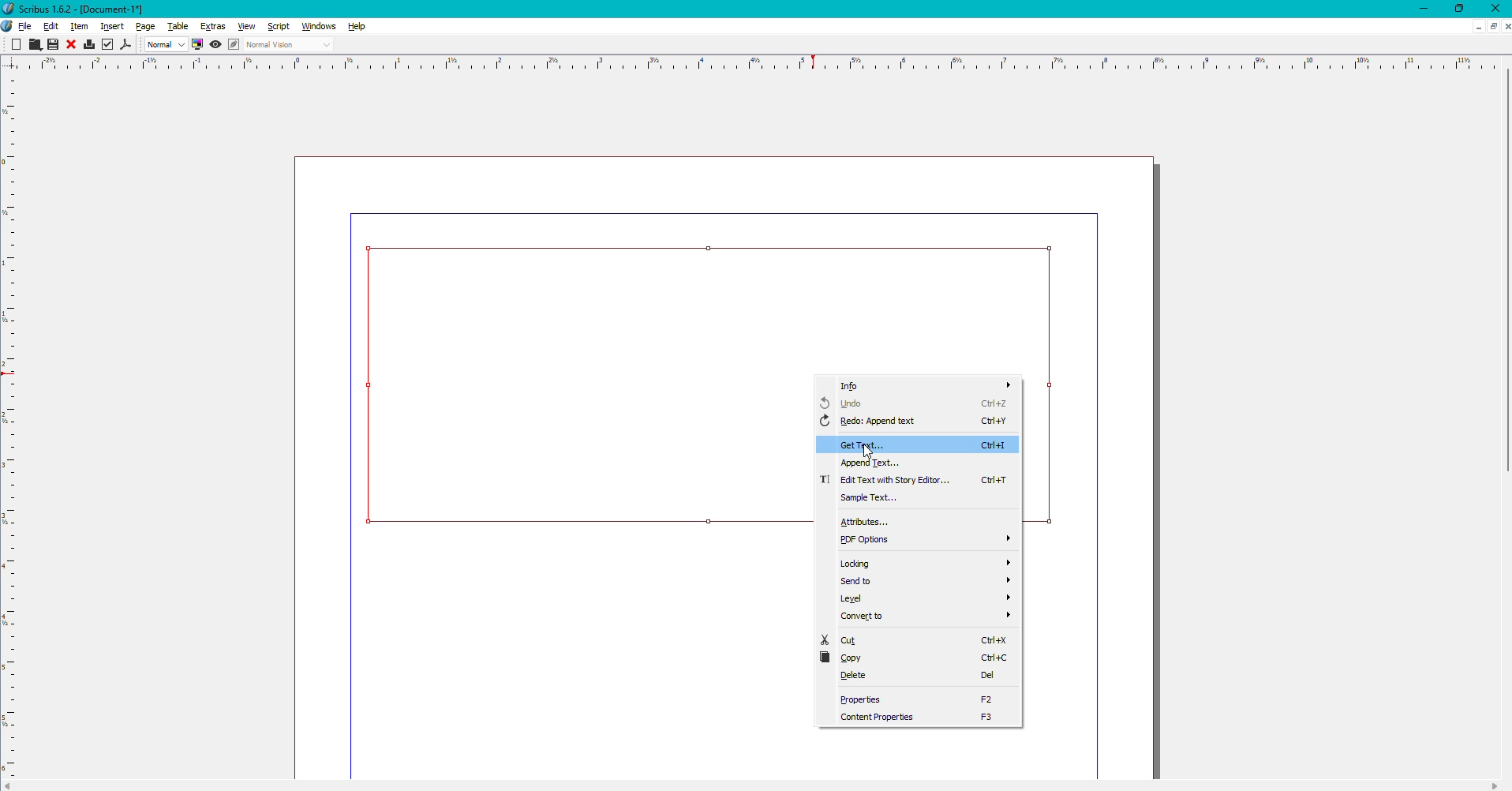 This screenshot has height=791, width=1512. I want to click on Normal Vision, so click(283, 45).